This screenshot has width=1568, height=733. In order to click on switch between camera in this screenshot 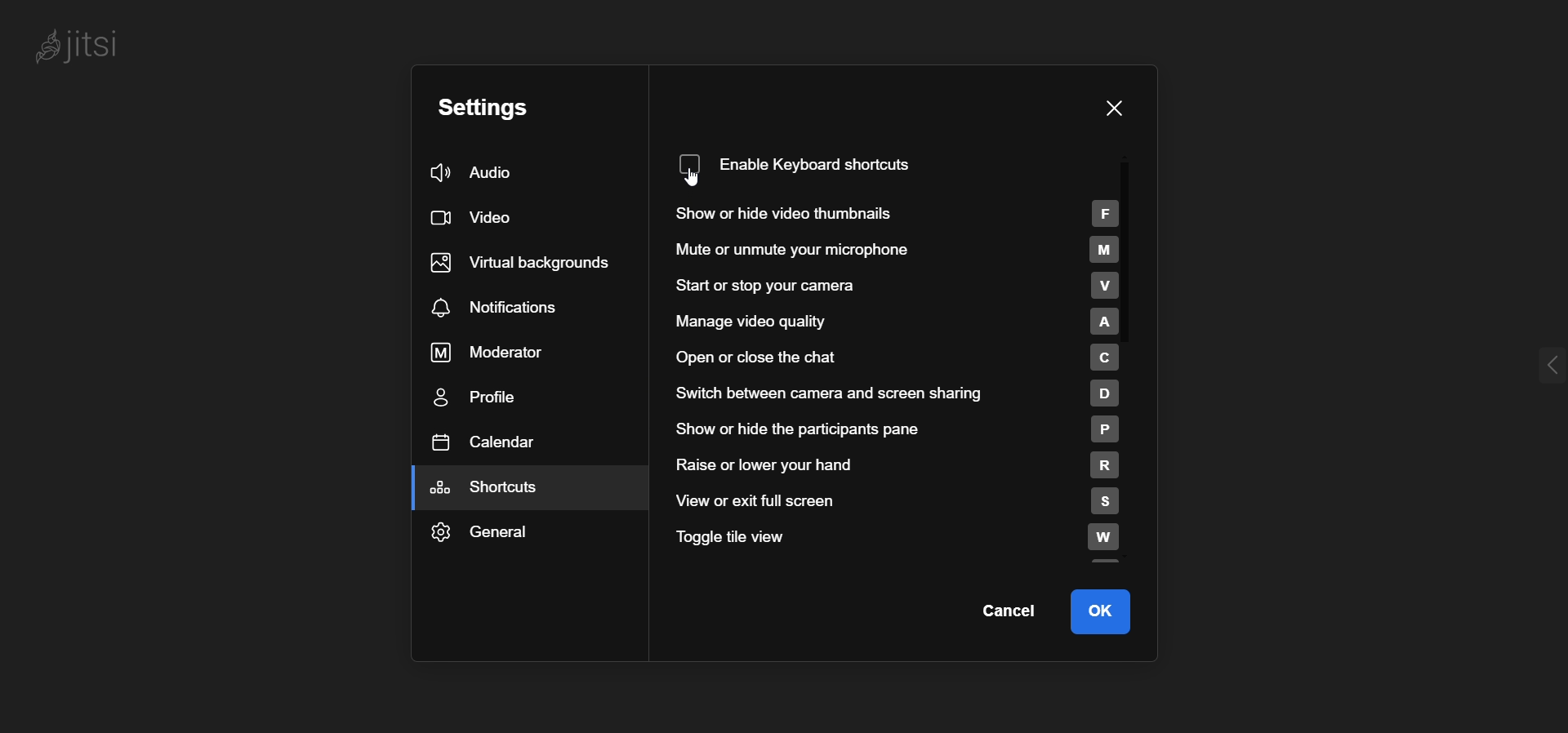, I will do `click(906, 392)`.